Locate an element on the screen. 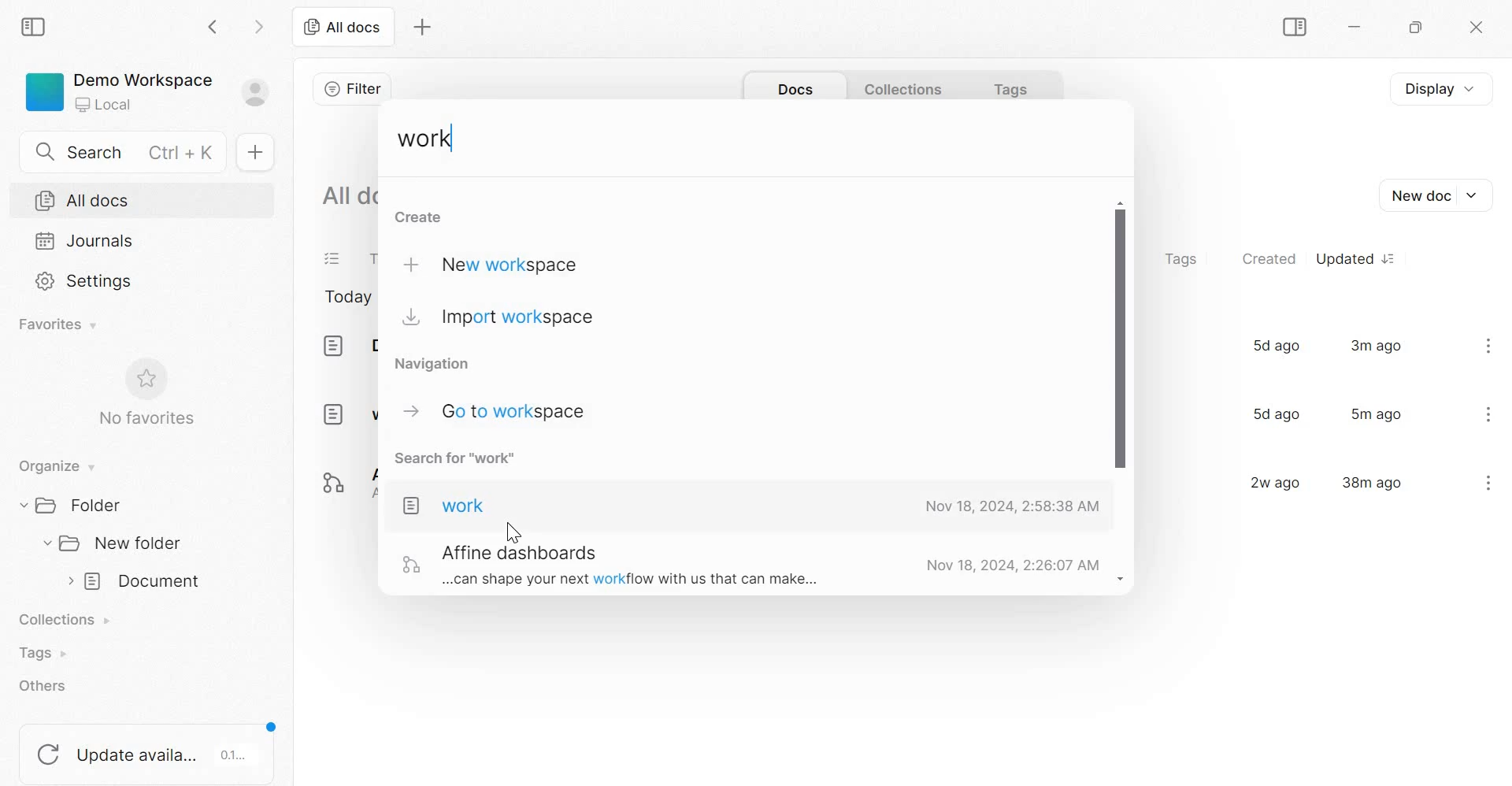  Journals is located at coordinates (85, 240).